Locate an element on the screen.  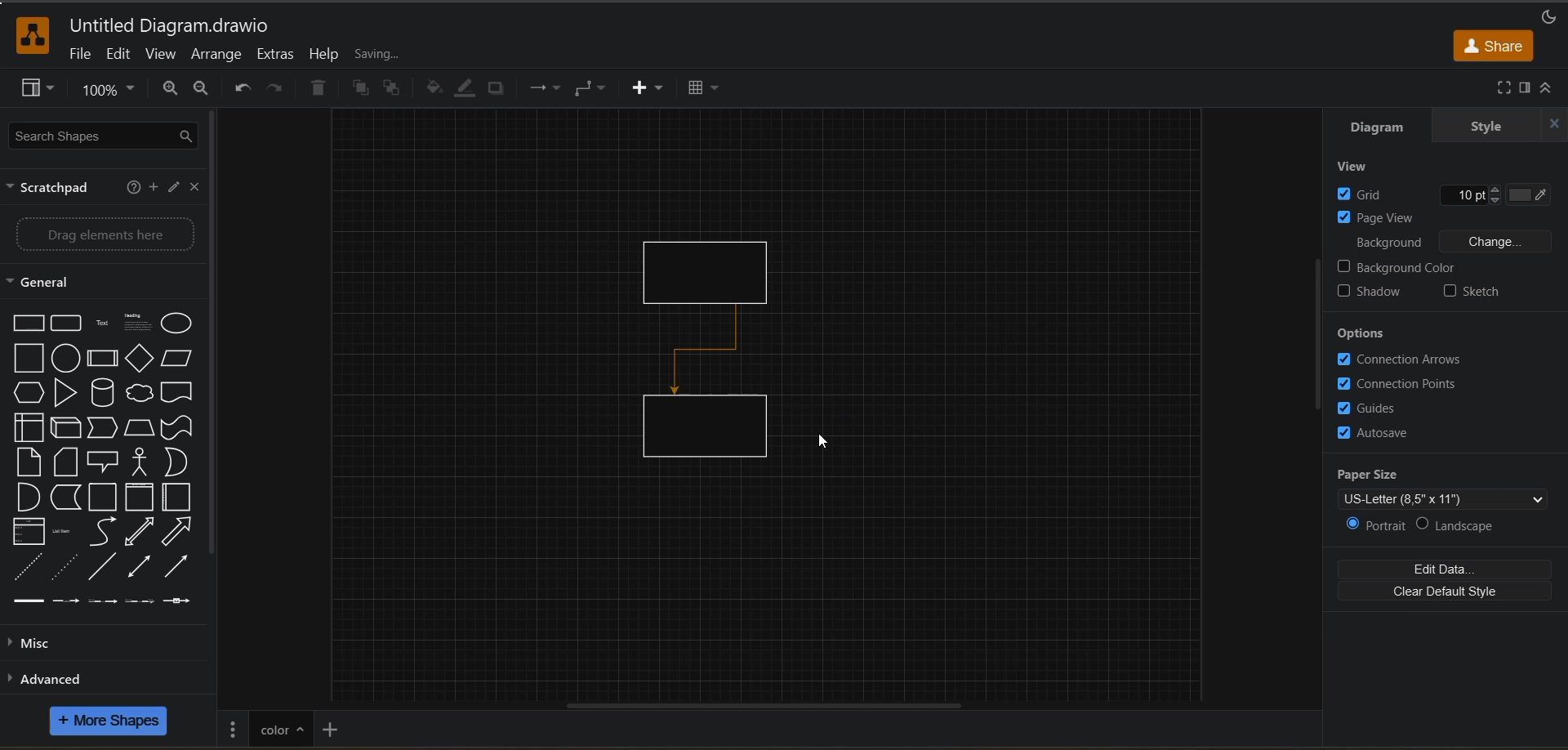
page title is located at coordinates (280, 727).